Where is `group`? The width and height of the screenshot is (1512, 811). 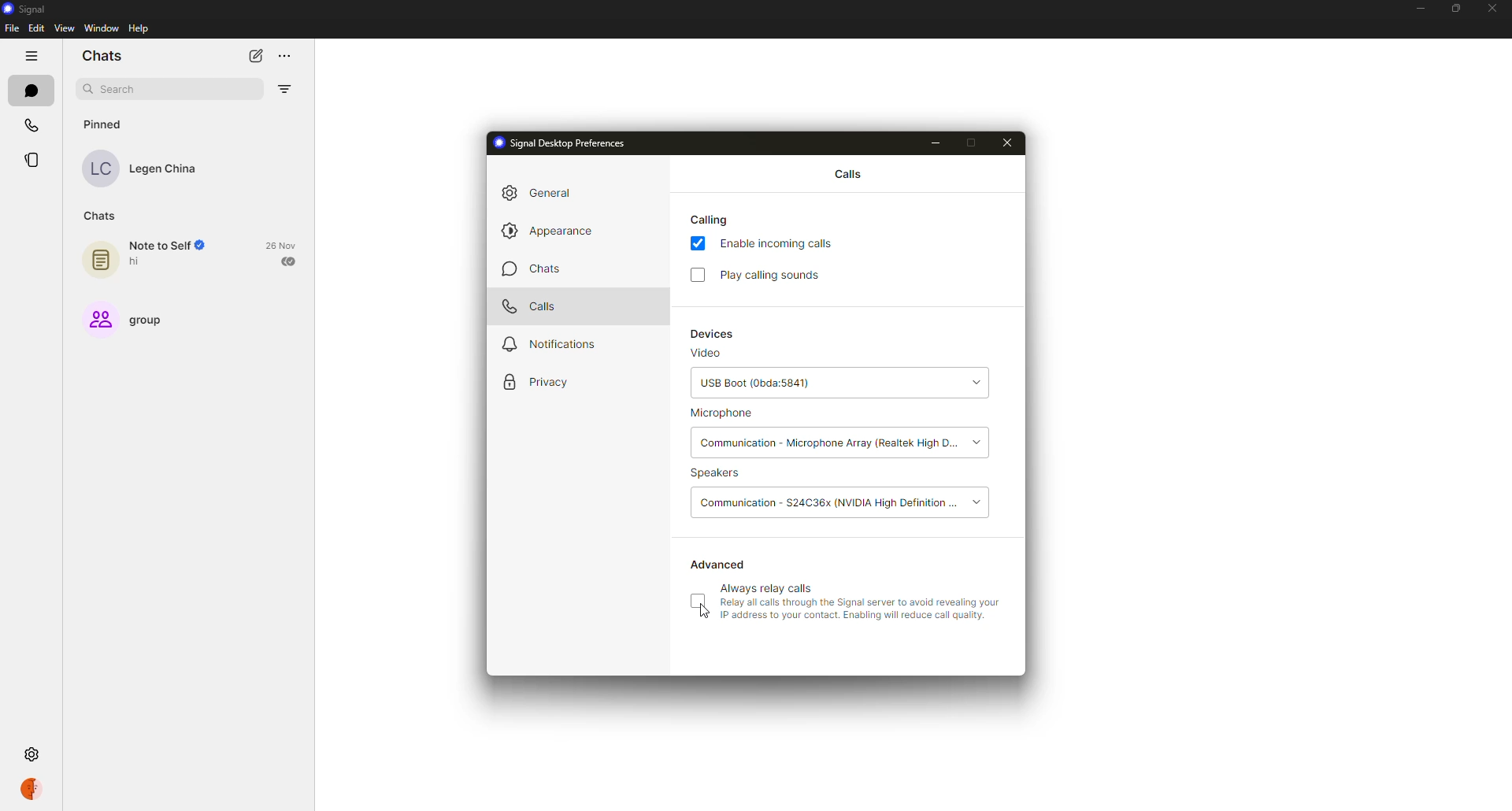
group is located at coordinates (146, 320).